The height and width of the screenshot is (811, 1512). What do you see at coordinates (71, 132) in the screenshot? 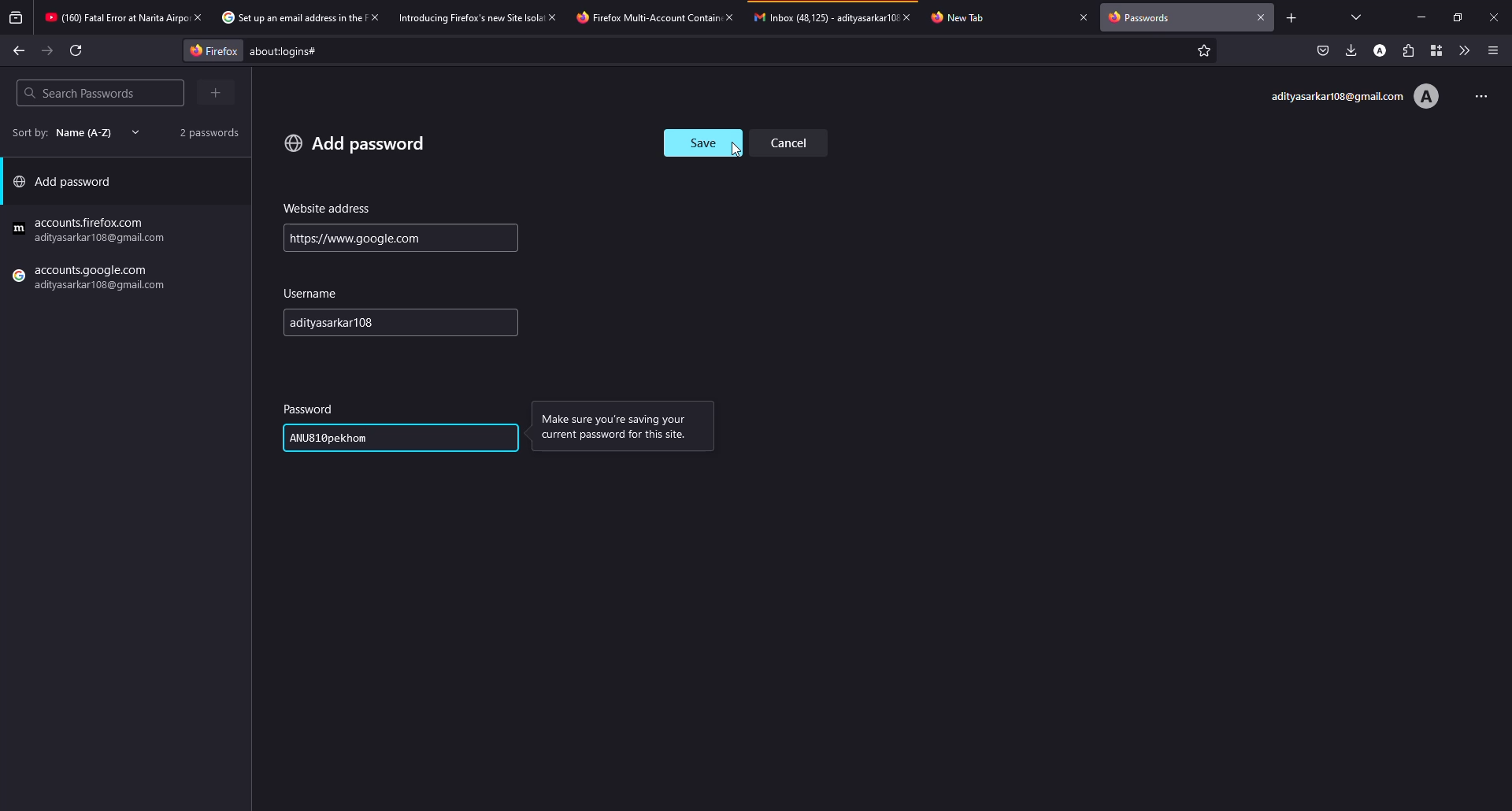
I see `sort by name` at bounding box center [71, 132].